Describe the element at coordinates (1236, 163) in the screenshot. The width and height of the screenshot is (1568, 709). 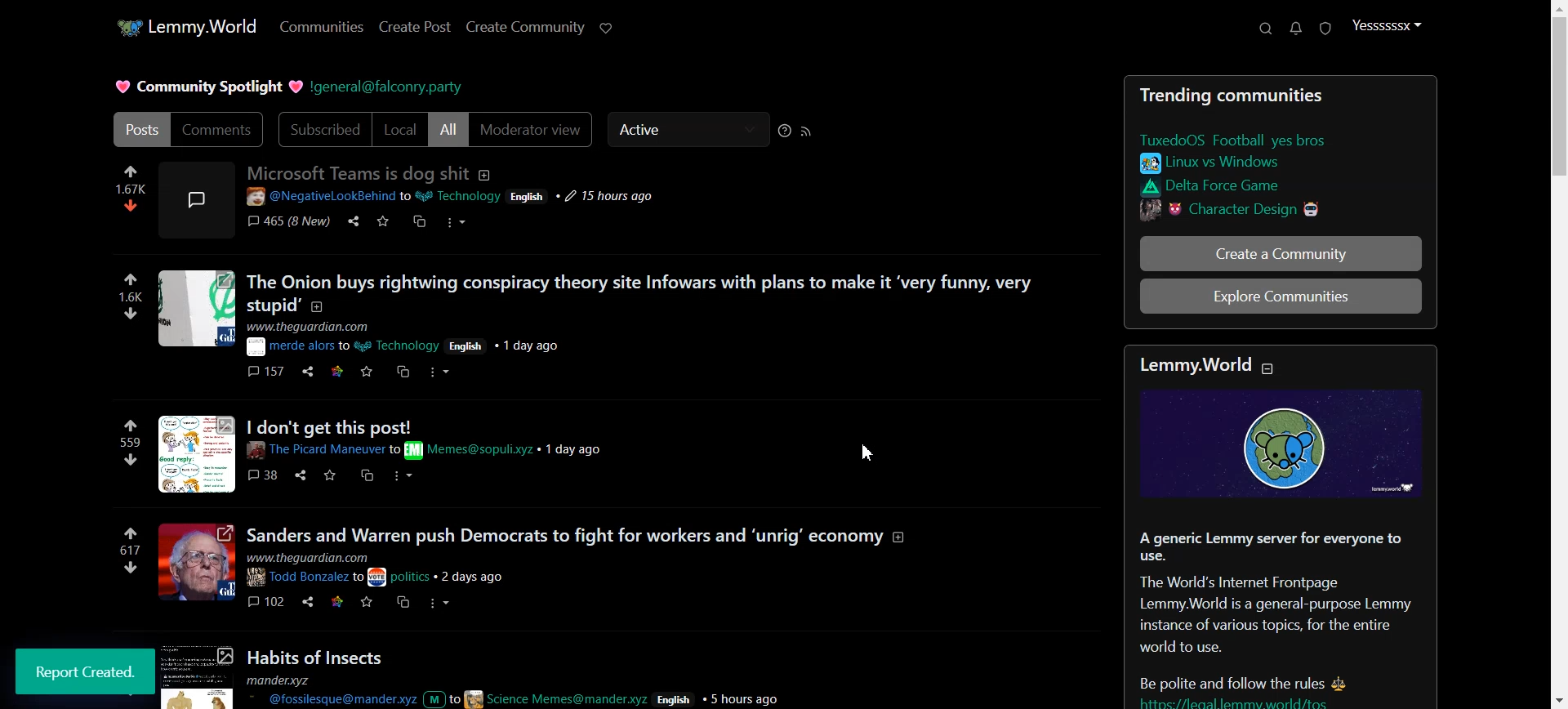
I see `link` at that location.